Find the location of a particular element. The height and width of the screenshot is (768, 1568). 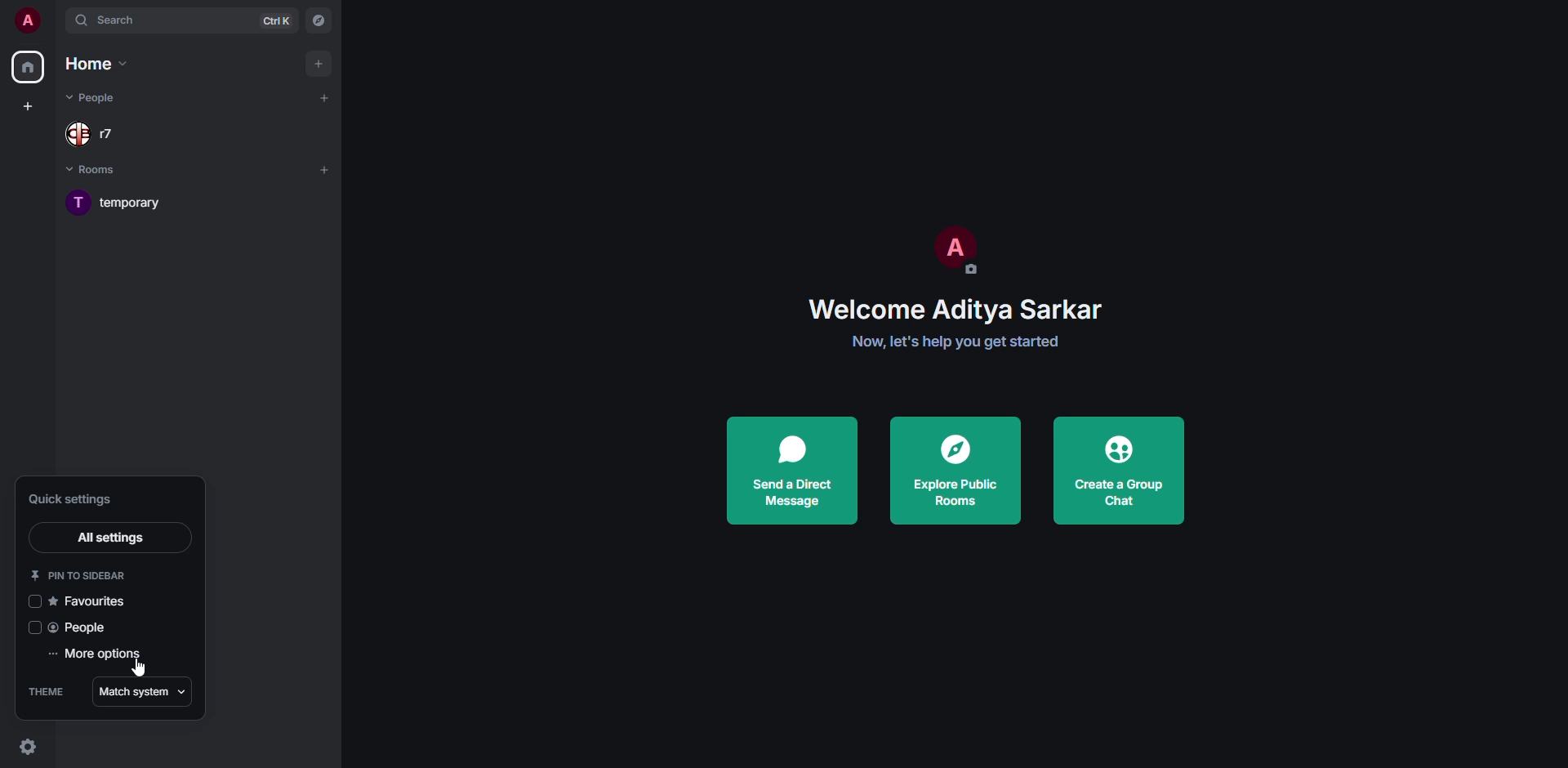

create a group chat is located at coordinates (1119, 468).